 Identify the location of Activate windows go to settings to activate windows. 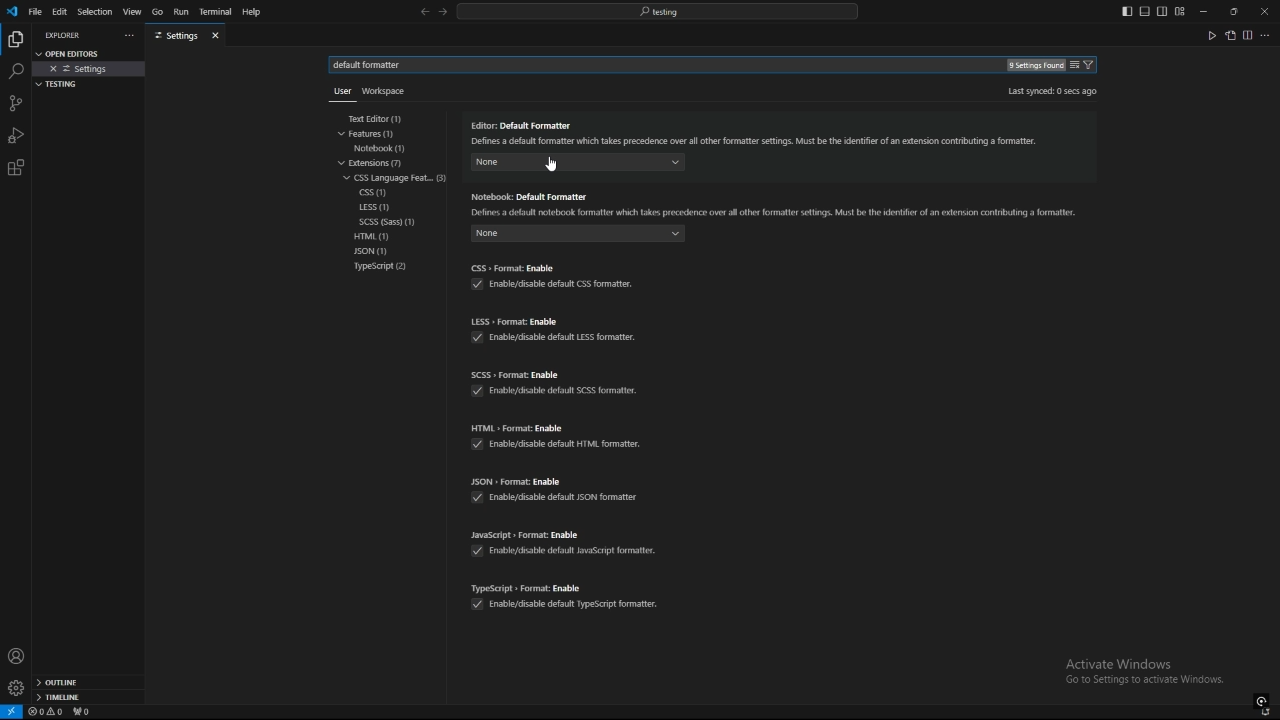
(1152, 673).